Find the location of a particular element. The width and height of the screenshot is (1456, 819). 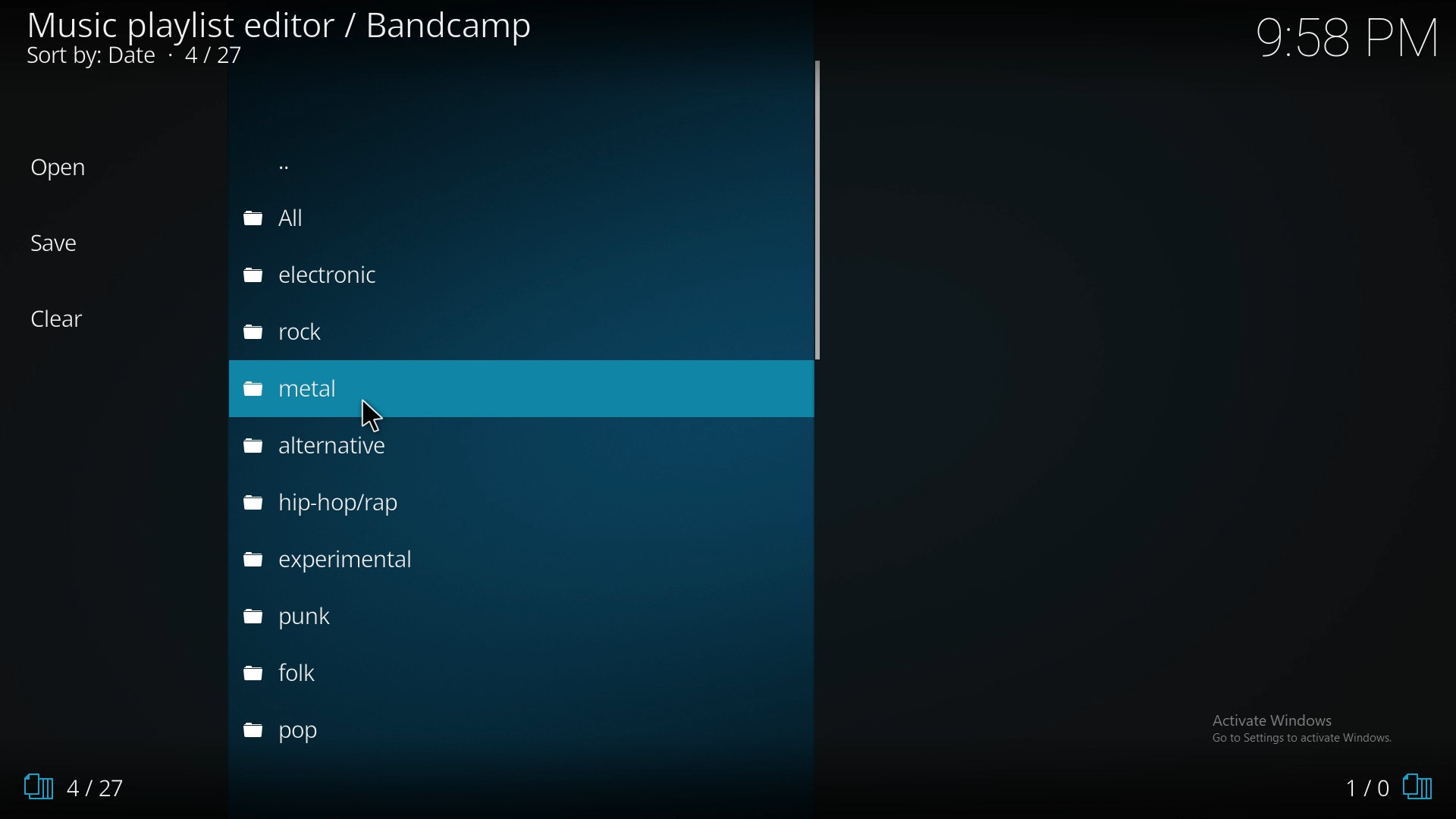

back is located at coordinates (414, 165).